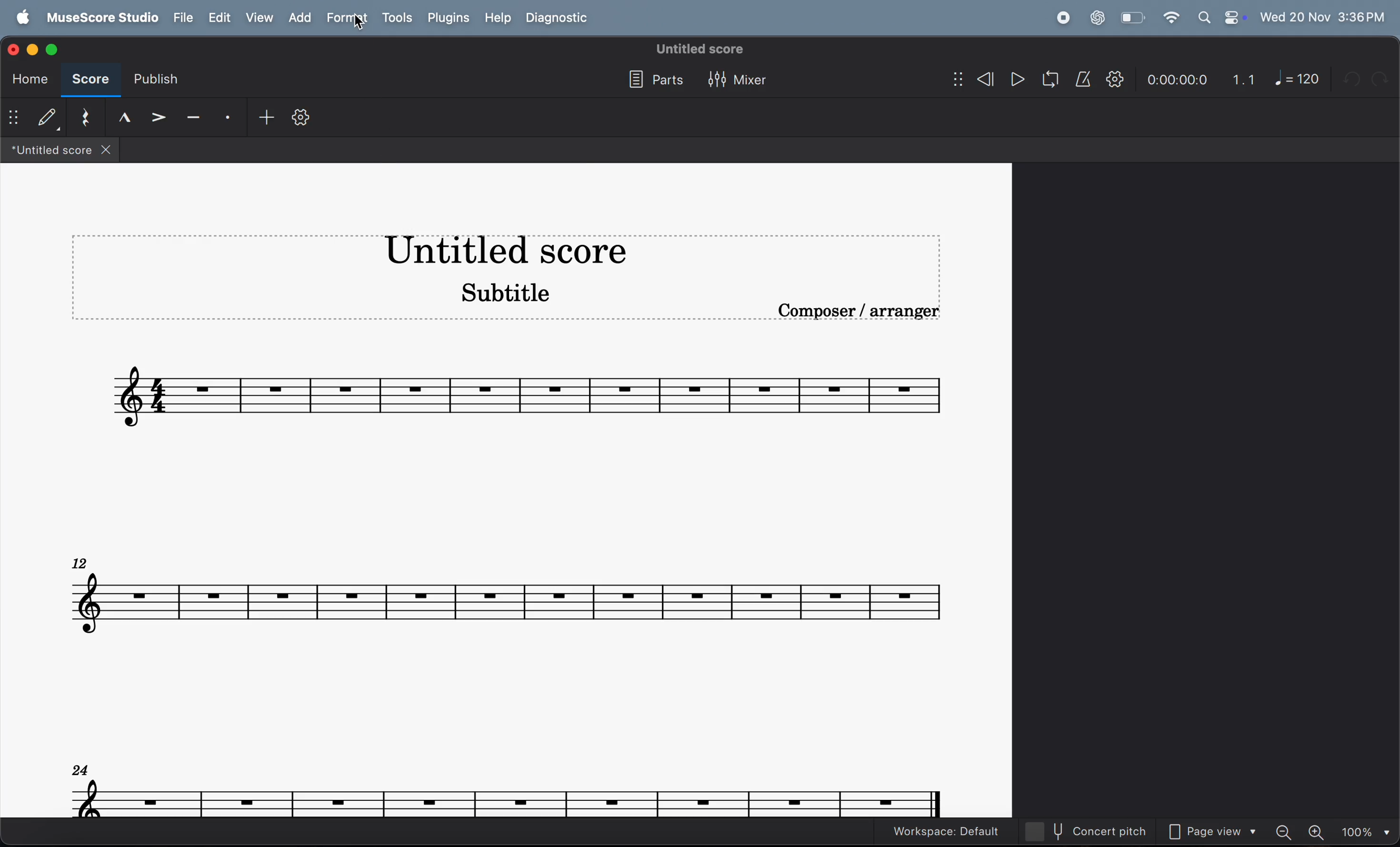 The image size is (1400, 847). I want to click on add, so click(304, 18).